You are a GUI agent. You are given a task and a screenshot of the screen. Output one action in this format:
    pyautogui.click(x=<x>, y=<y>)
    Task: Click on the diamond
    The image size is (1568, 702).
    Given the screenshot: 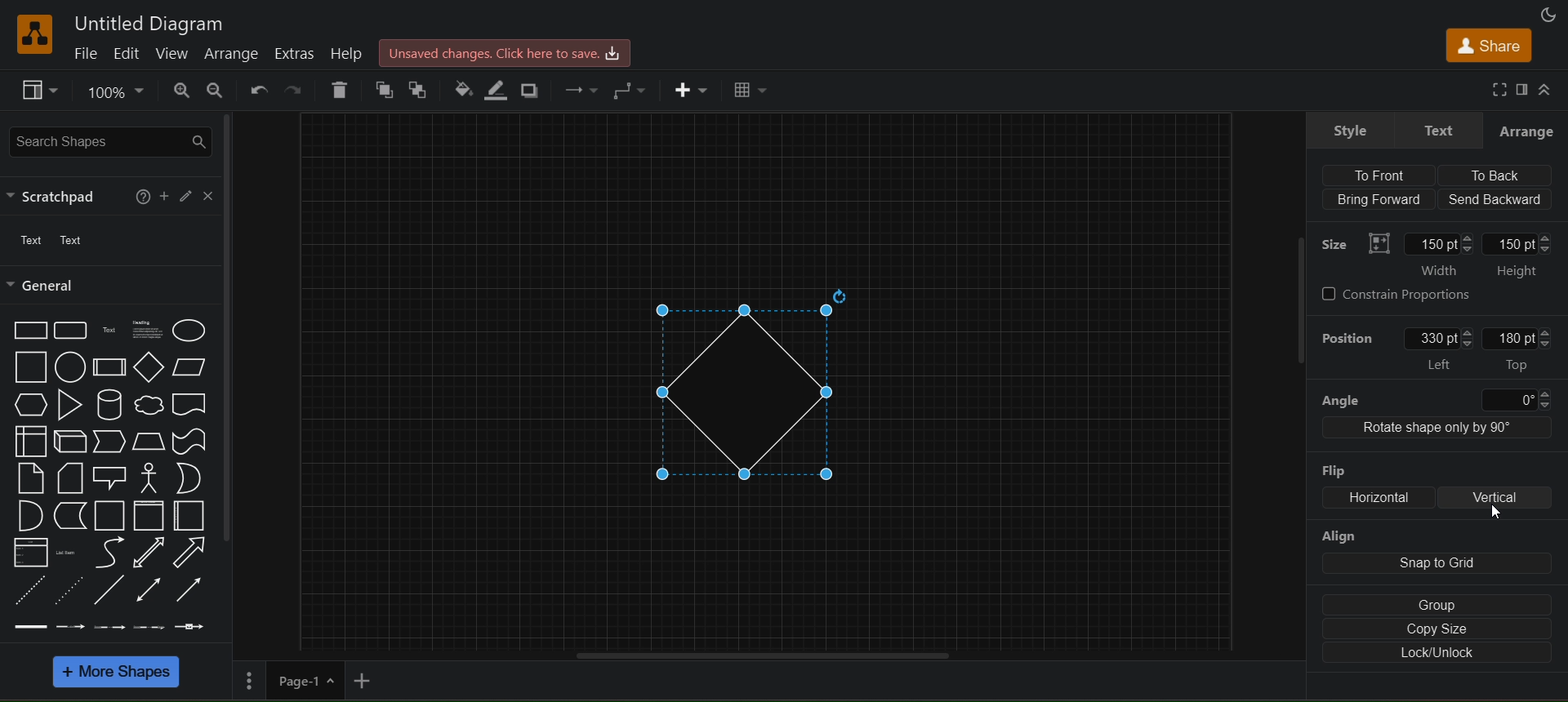 What is the action you would take?
    pyautogui.click(x=761, y=386)
    